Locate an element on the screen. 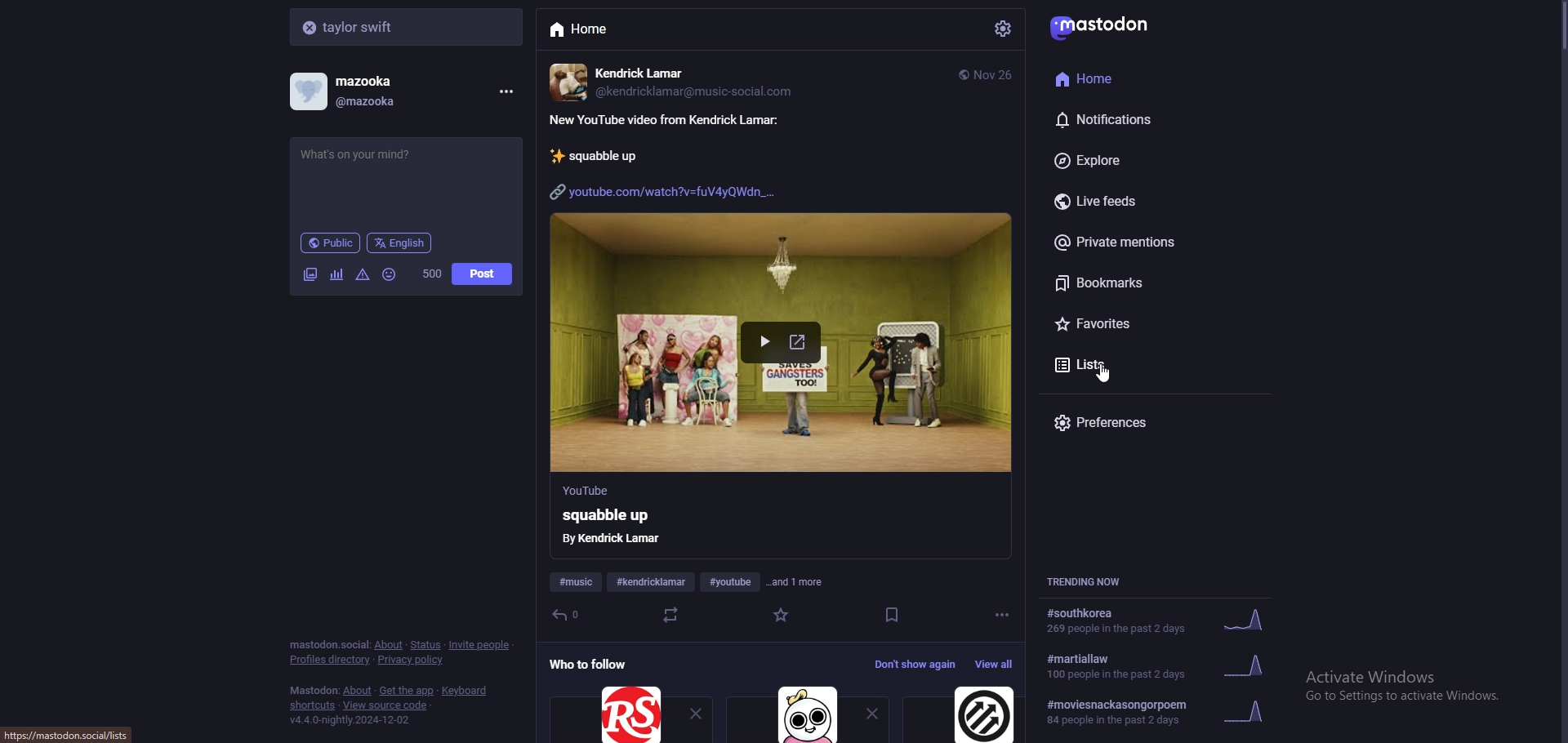 The height and width of the screenshot is (743, 1568). menu is located at coordinates (503, 91).